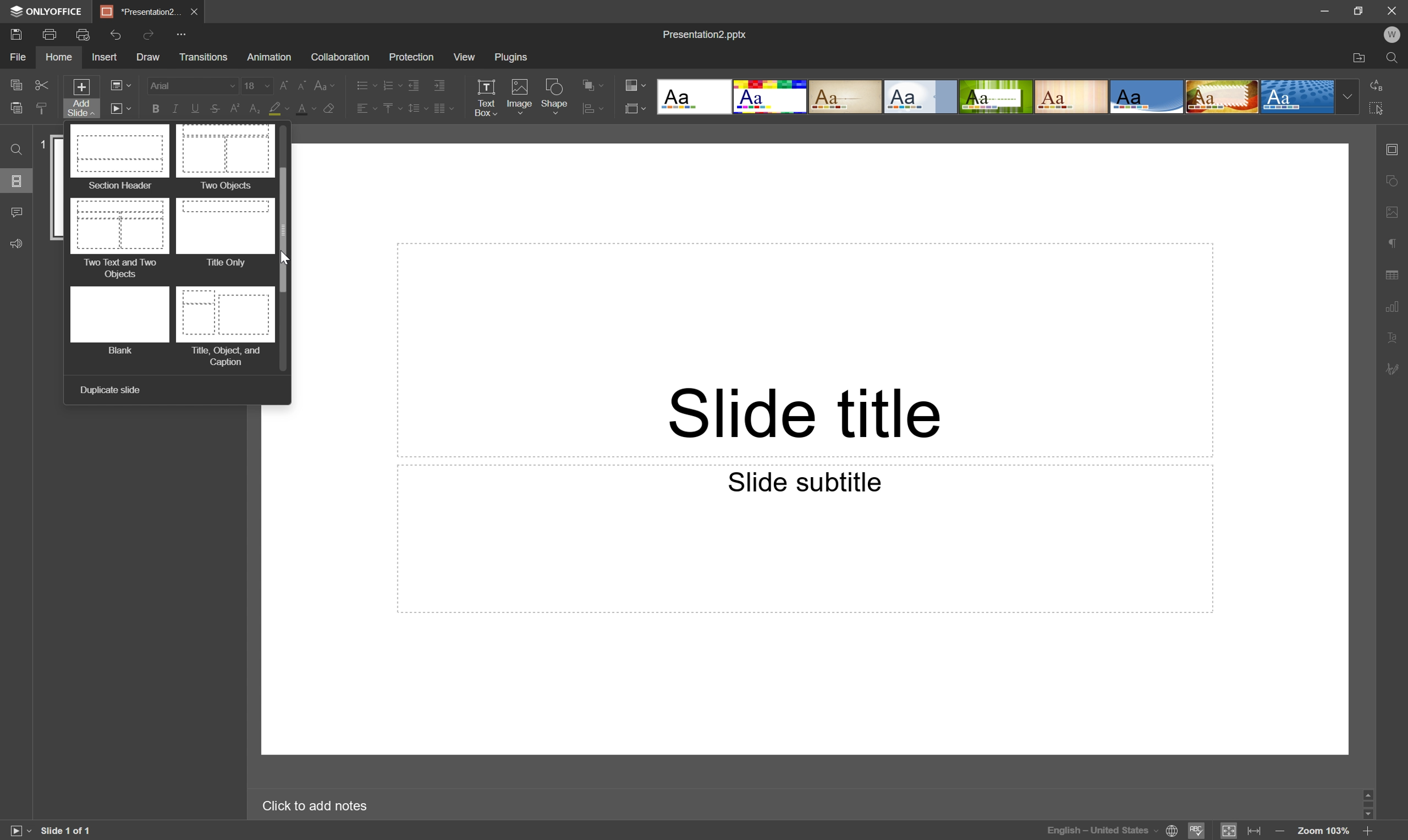 This screenshot has height=840, width=1408. What do you see at coordinates (1360, 58) in the screenshot?
I see `Open file location` at bounding box center [1360, 58].